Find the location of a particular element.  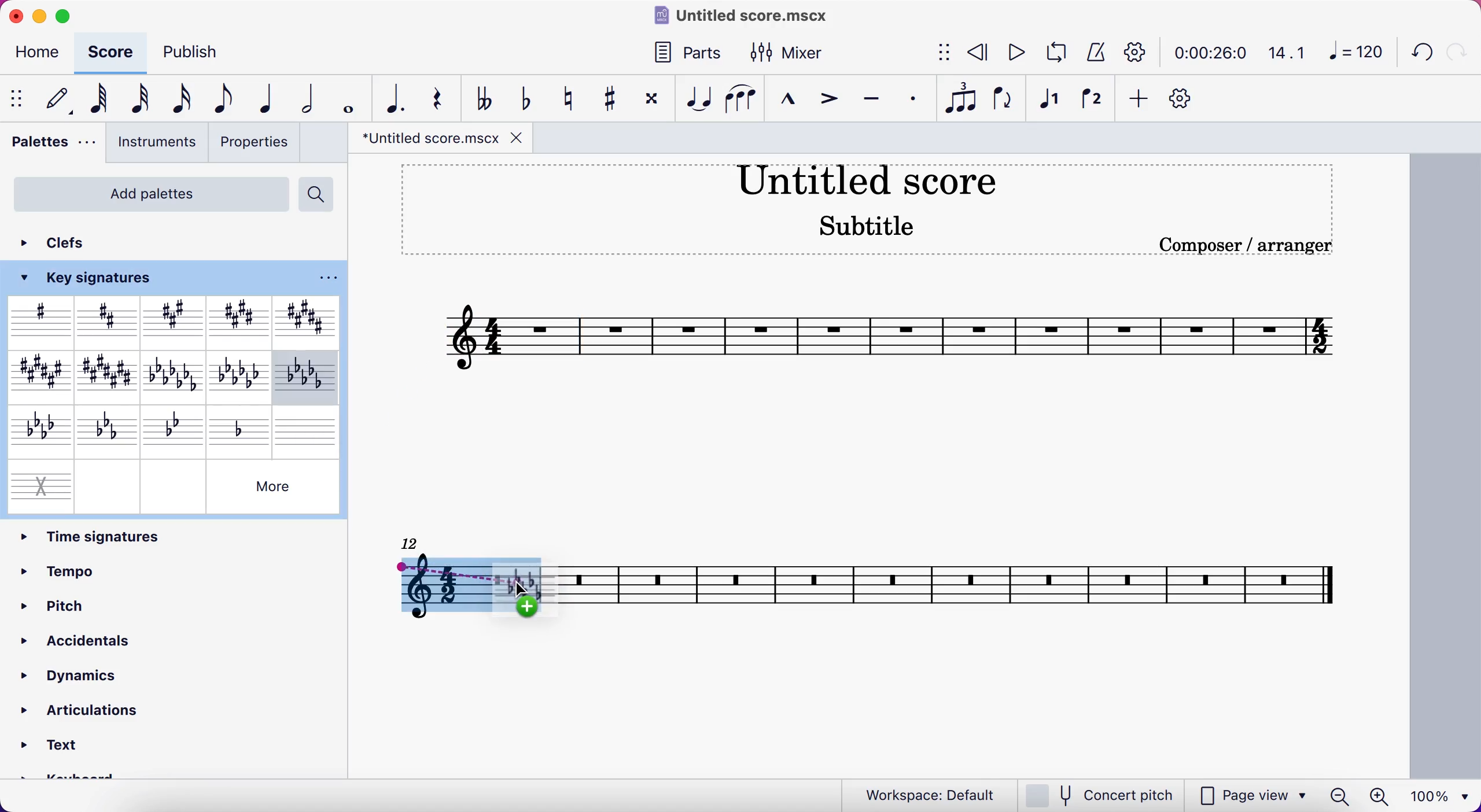

score is located at coordinates (113, 53).